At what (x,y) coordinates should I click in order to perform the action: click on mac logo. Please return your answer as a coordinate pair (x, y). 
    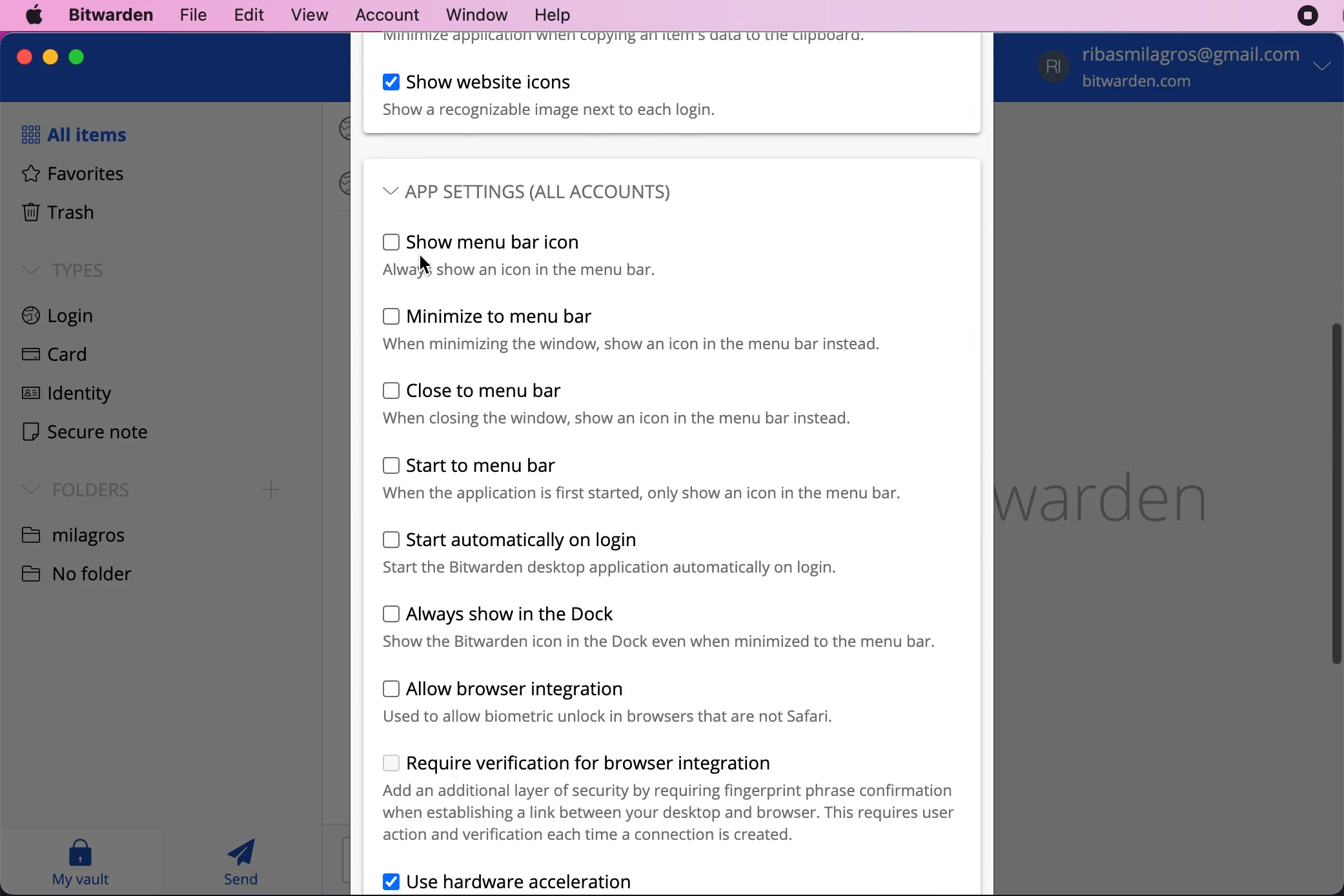
    Looking at the image, I should click on (36, 15).